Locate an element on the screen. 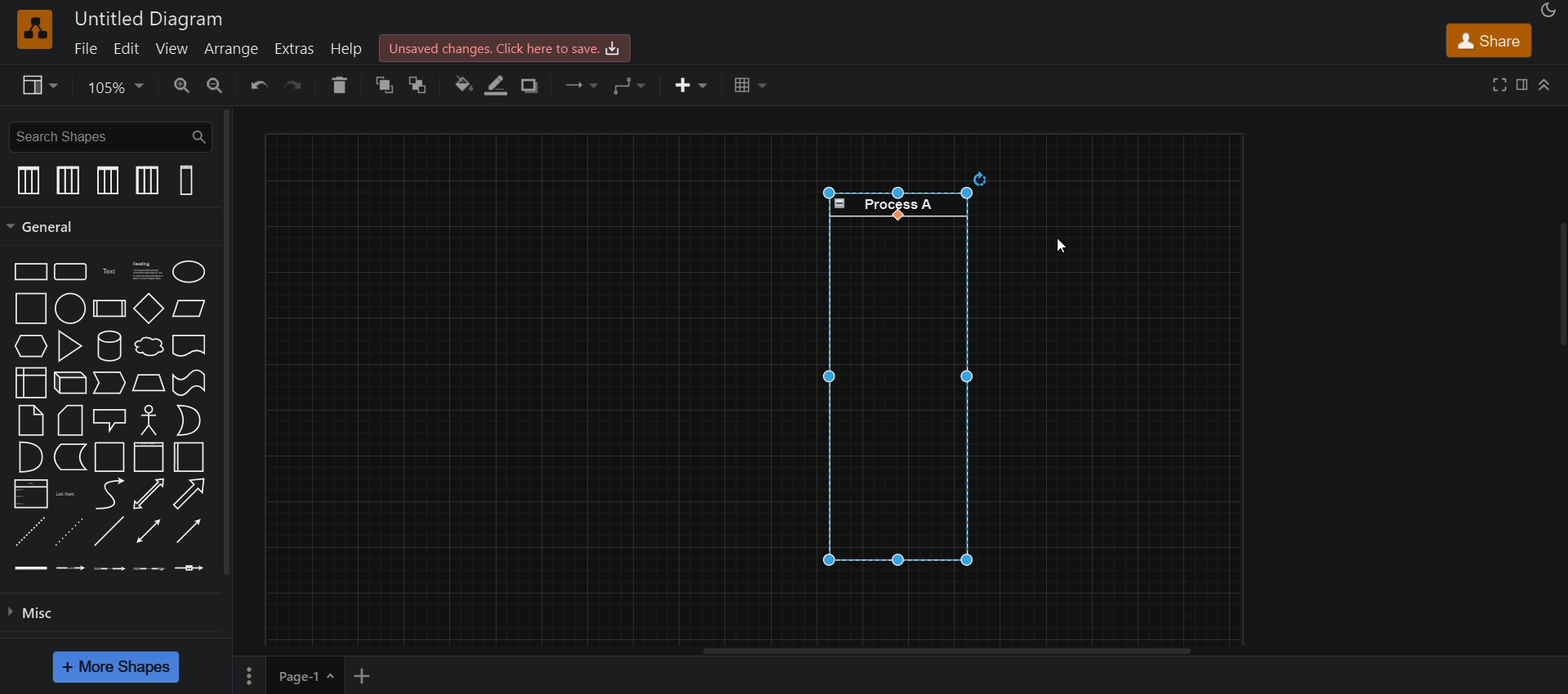 Image resolution: width=1568 pixels, height=694 pixels. curve is located at coordinates (110, 496).